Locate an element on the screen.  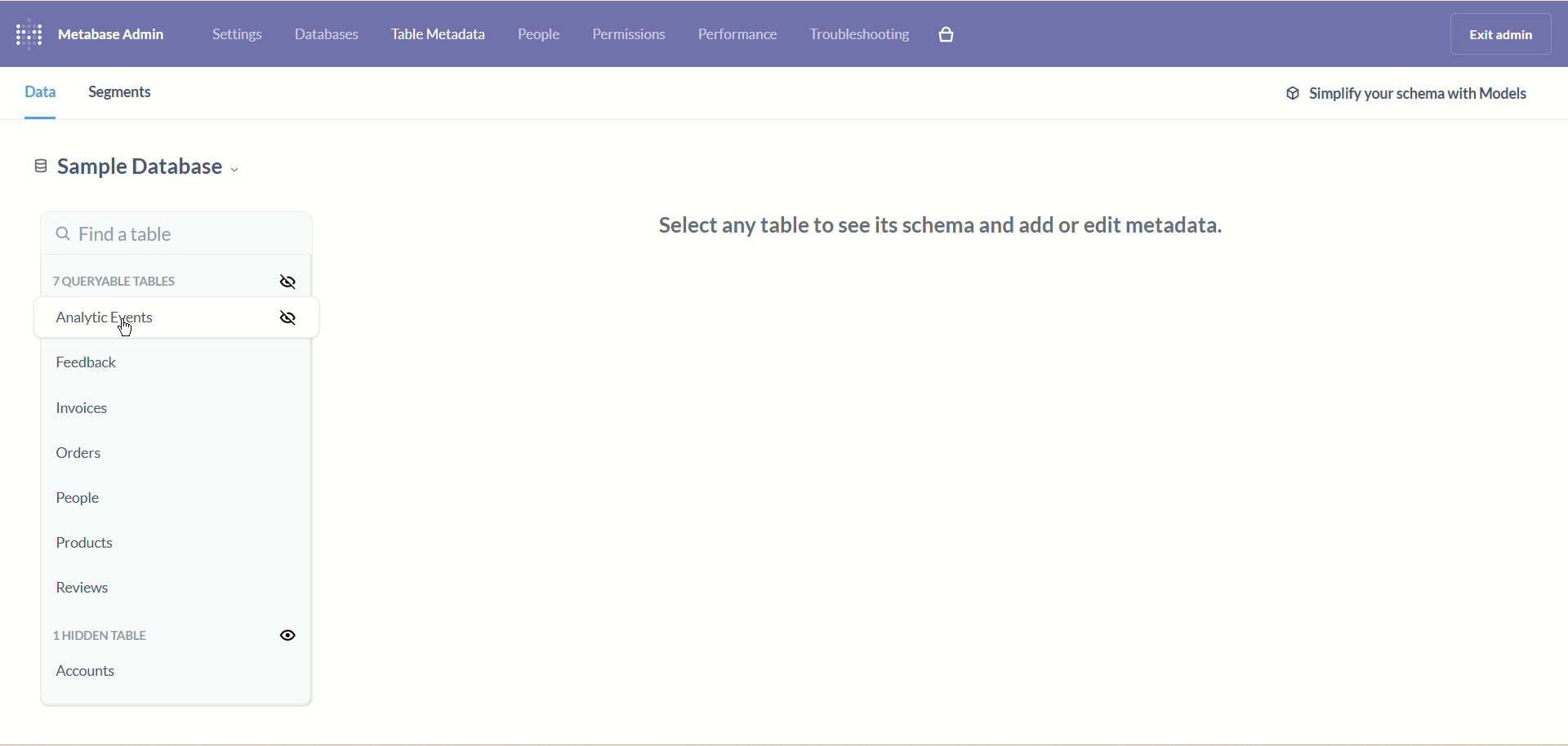
Explore paid features is located at coordinates (948, 36).